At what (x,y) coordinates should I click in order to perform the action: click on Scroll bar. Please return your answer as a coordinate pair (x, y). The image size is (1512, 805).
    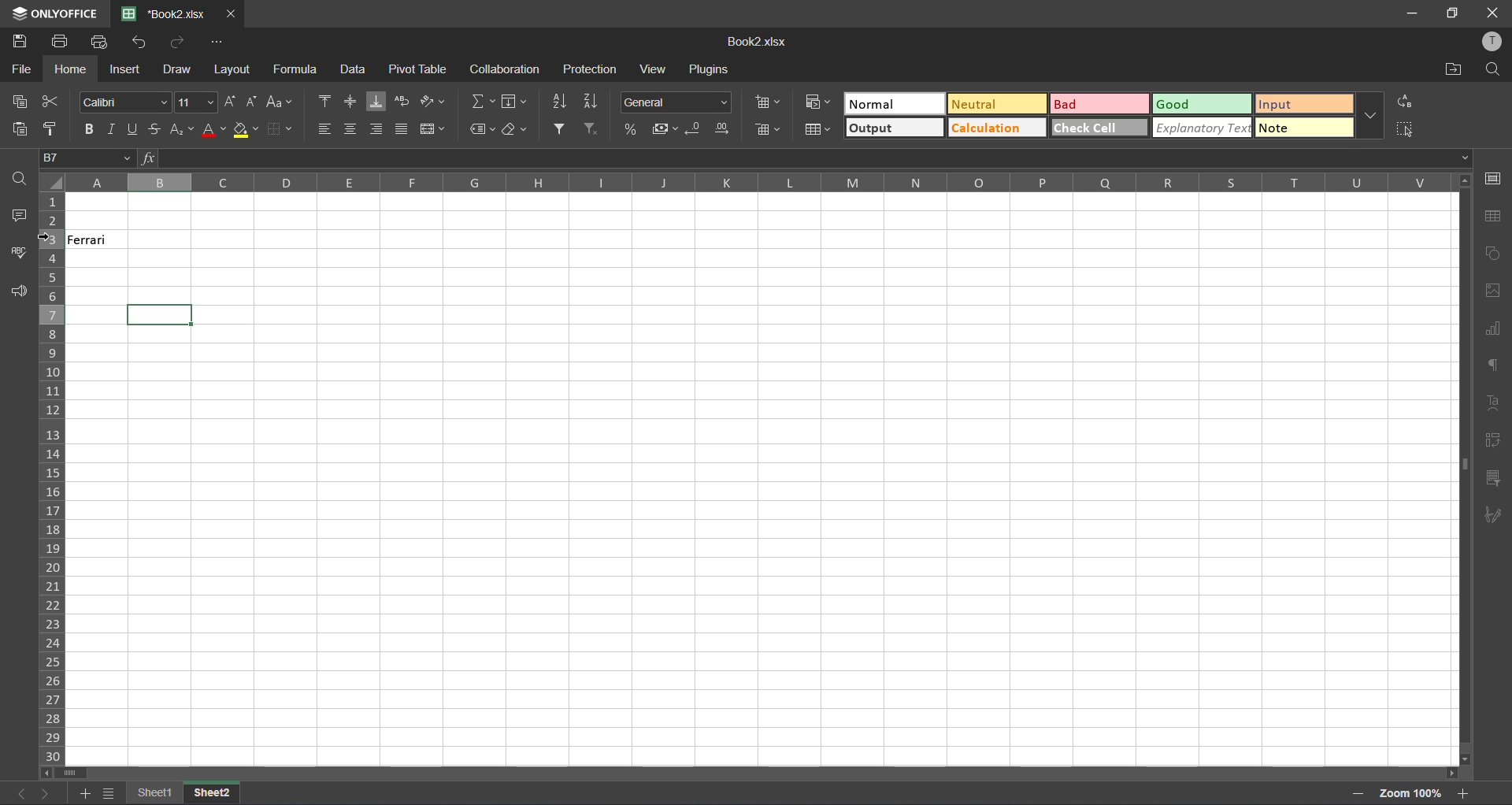
    Looking at the image, I should click on (764, 774).